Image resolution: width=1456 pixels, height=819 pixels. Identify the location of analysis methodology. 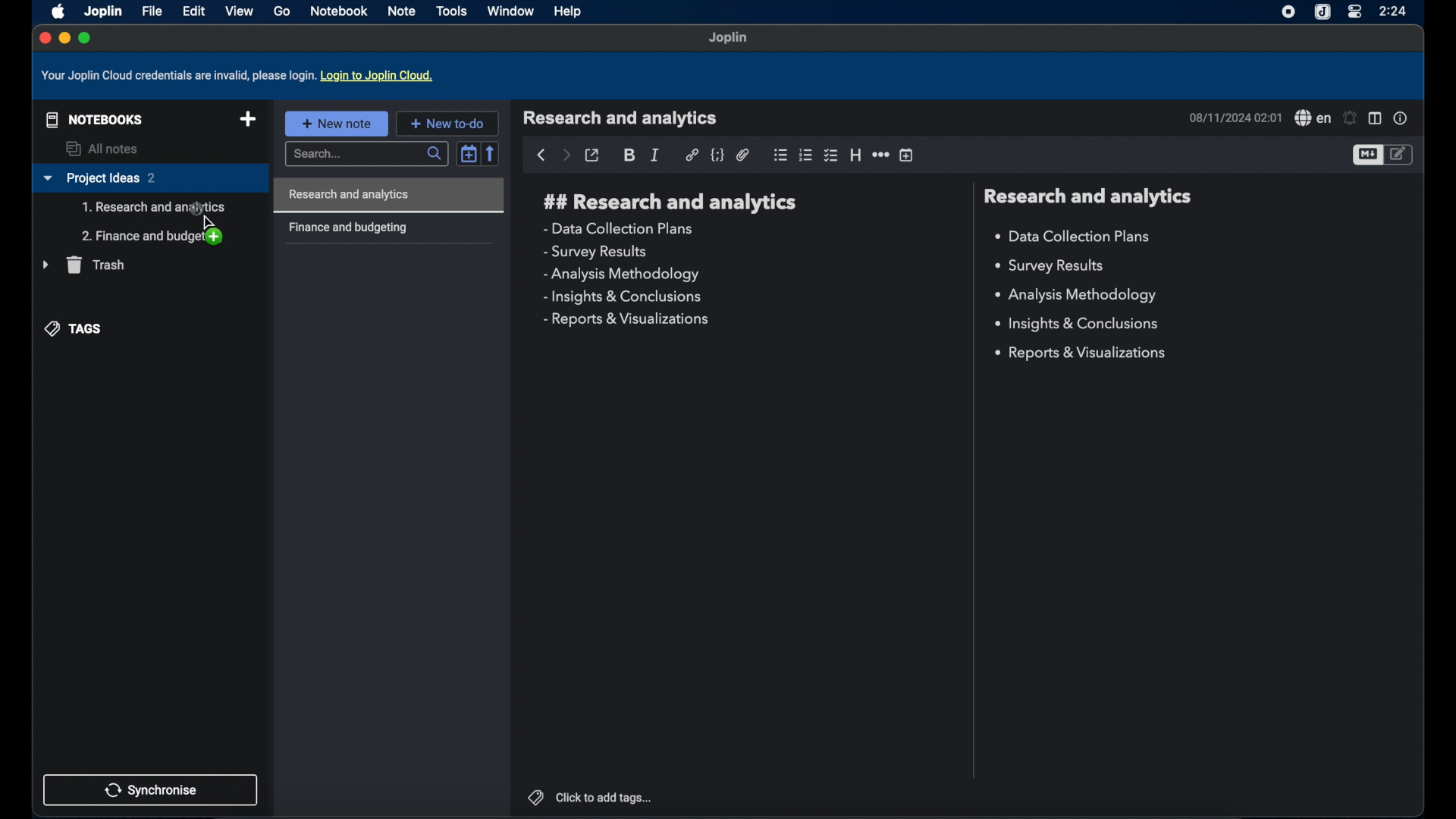
(620, 275).